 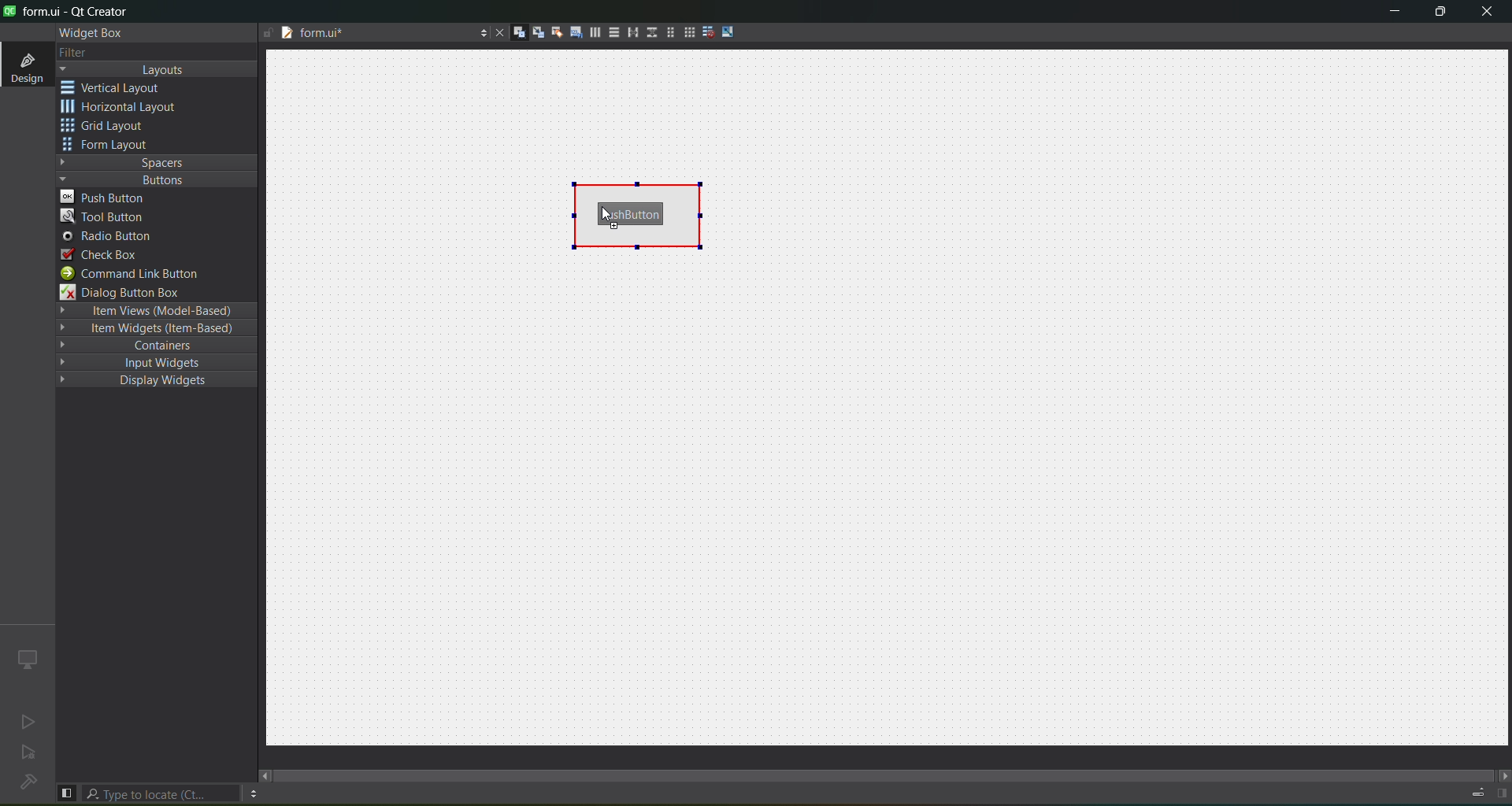 I want to click on options, so click(x=480, y=31).